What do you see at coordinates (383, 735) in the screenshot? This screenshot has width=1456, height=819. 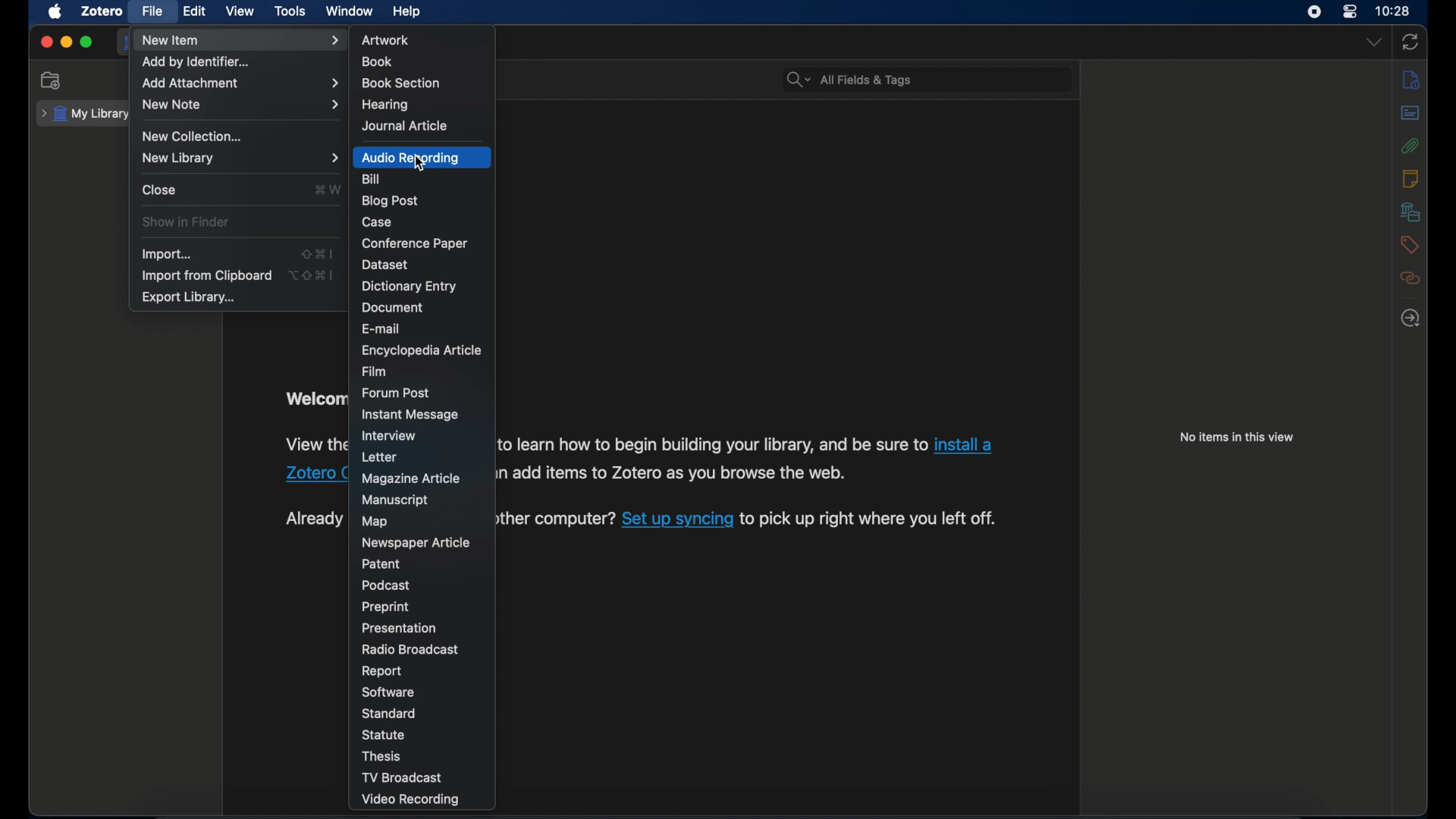 I see `statue` at bounding box center [383, 735].